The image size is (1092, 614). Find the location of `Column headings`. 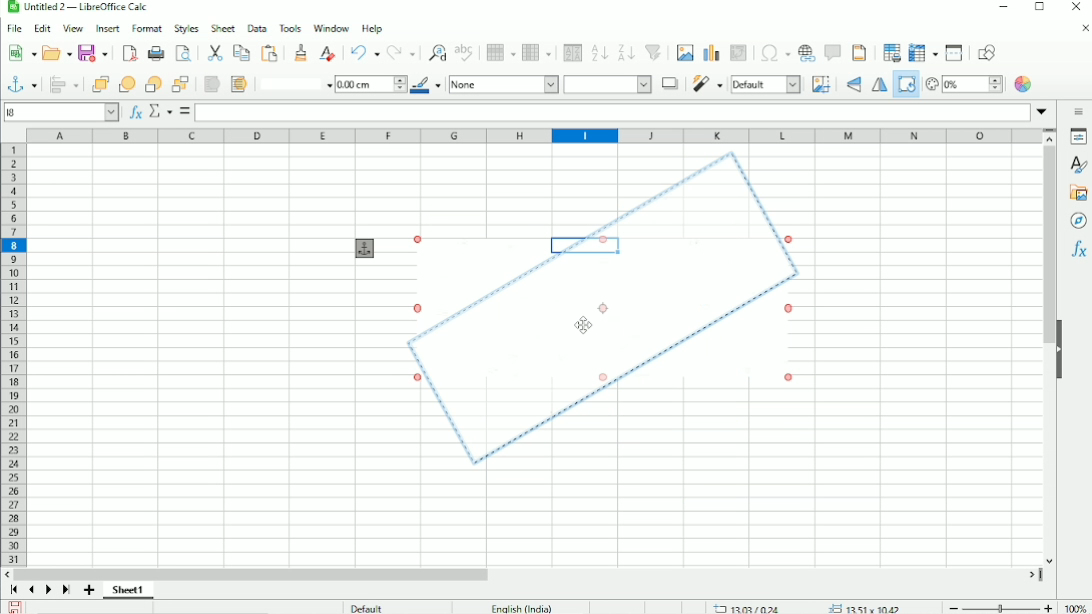

Column headings is located at coordinates (532, 136).